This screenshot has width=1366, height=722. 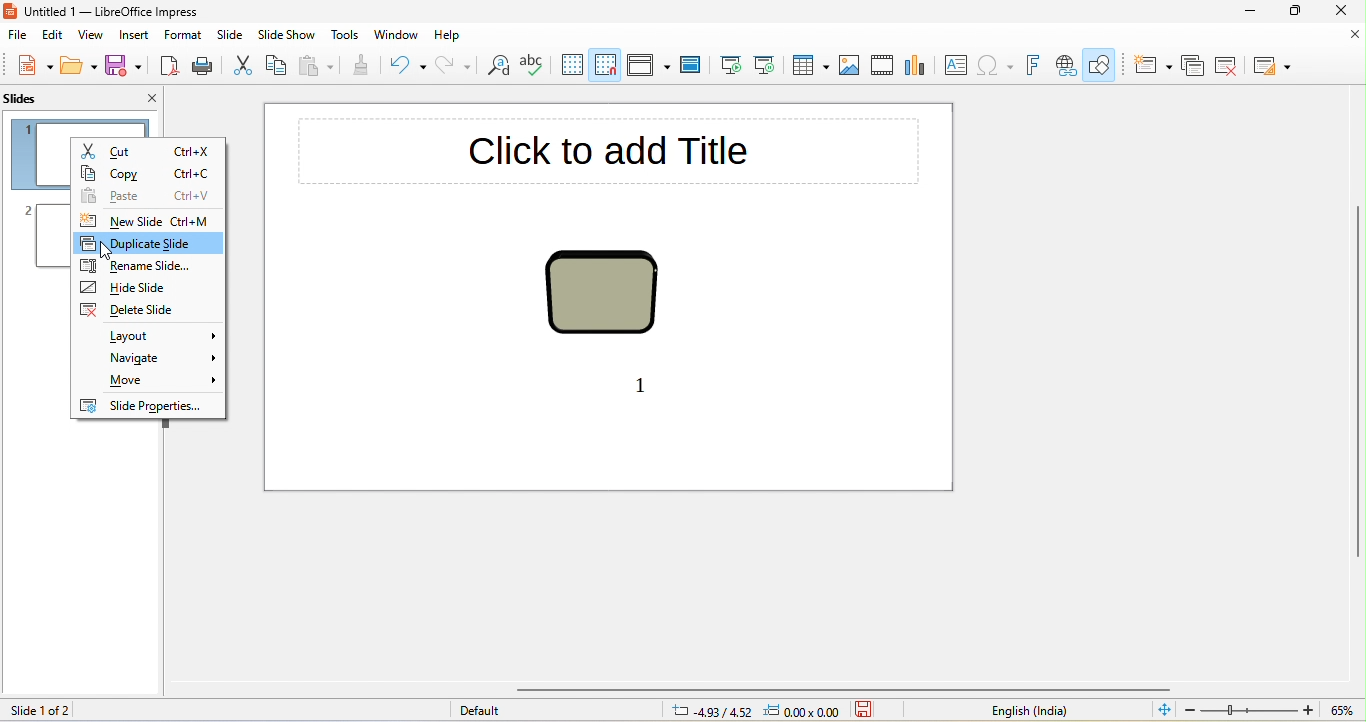 I want to click on display view, so click(x=649, y=68).